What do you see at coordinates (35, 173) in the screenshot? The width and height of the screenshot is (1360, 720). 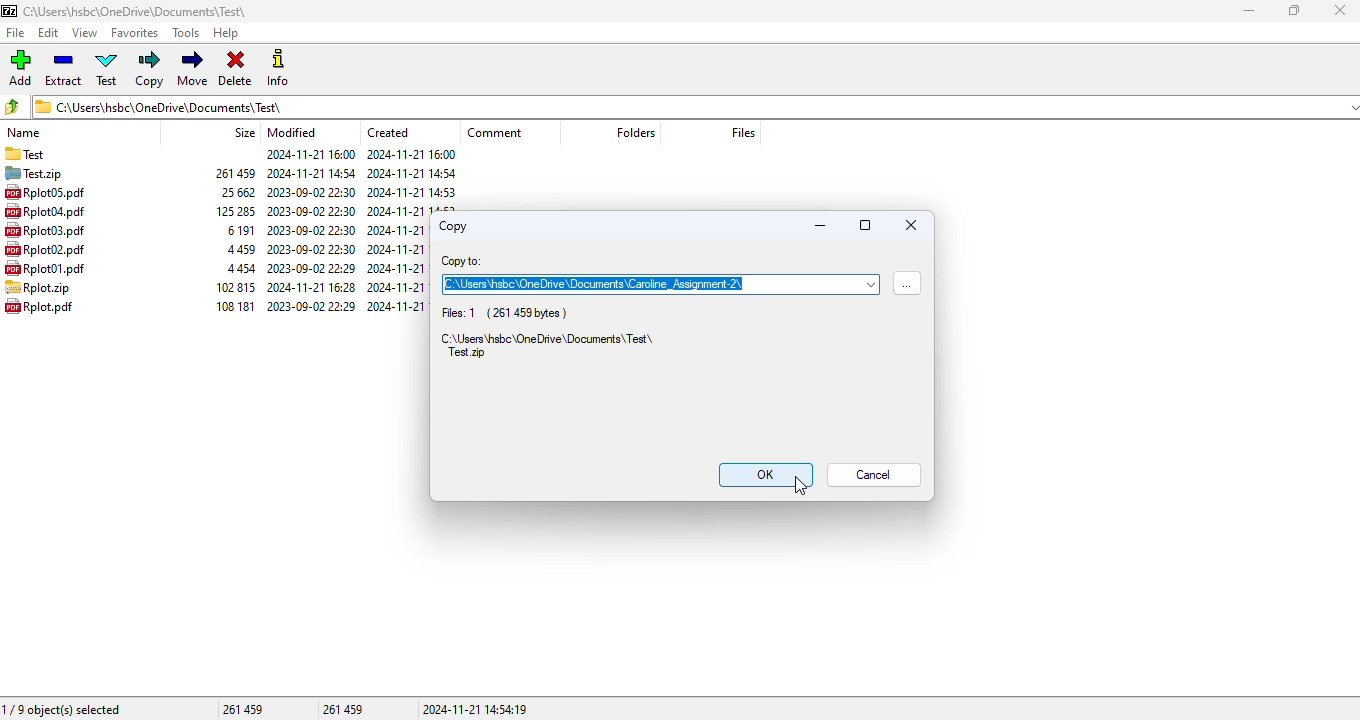 I see `archive` at bounding box center [35, 173].